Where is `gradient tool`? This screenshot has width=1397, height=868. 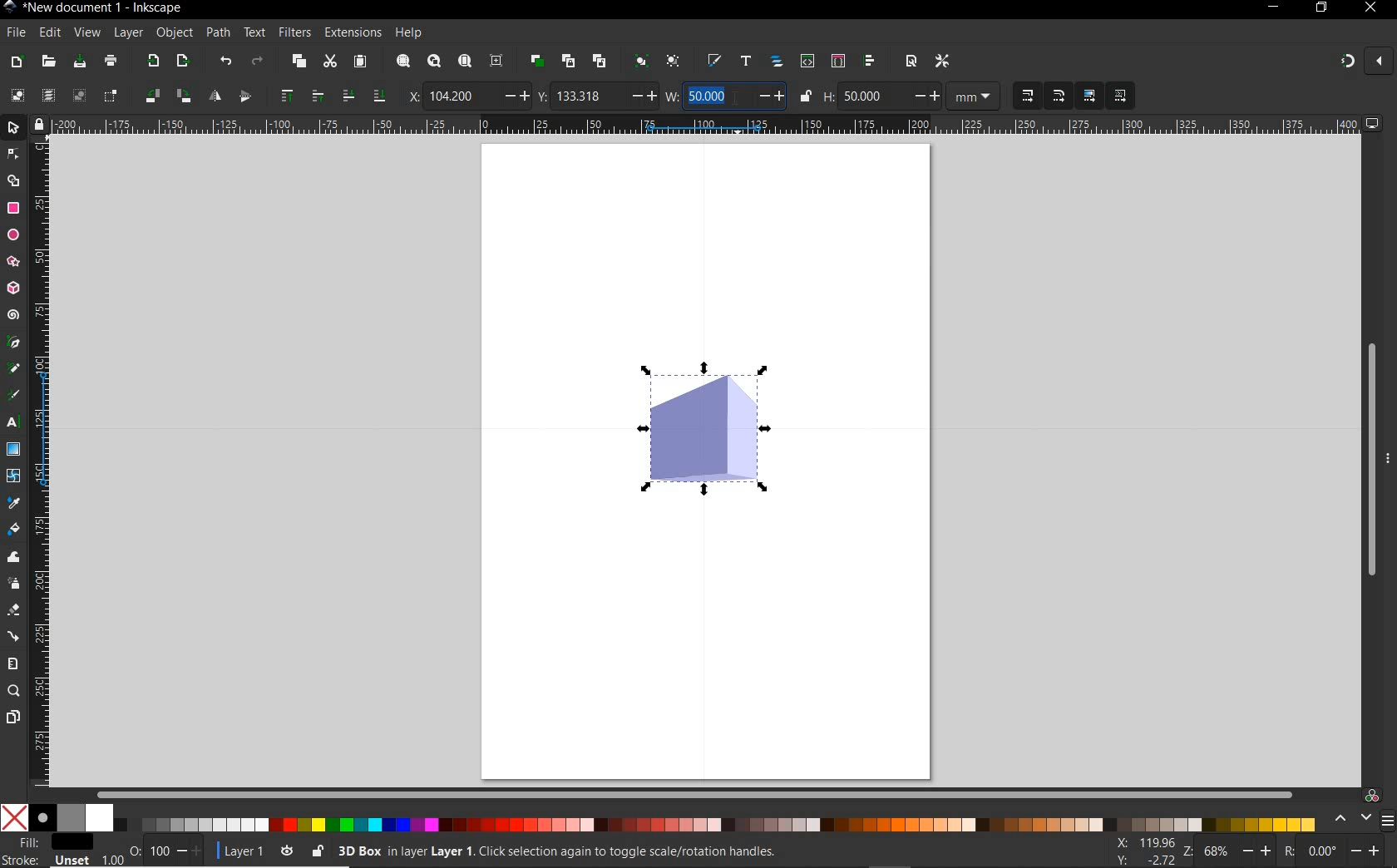
gradient tool is located at coordinates (13, 449).